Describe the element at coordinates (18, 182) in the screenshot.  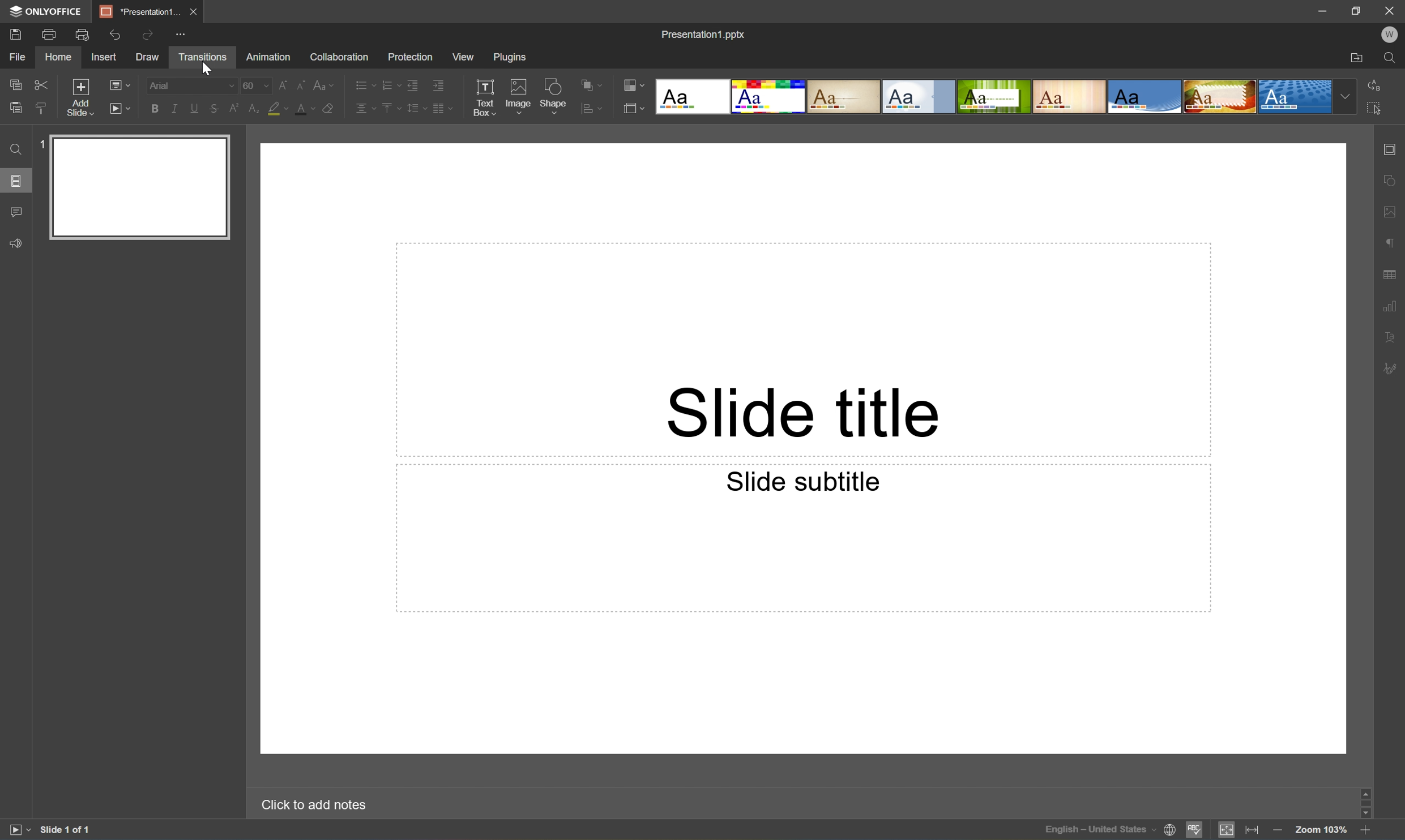
I see `Slides` at that location.